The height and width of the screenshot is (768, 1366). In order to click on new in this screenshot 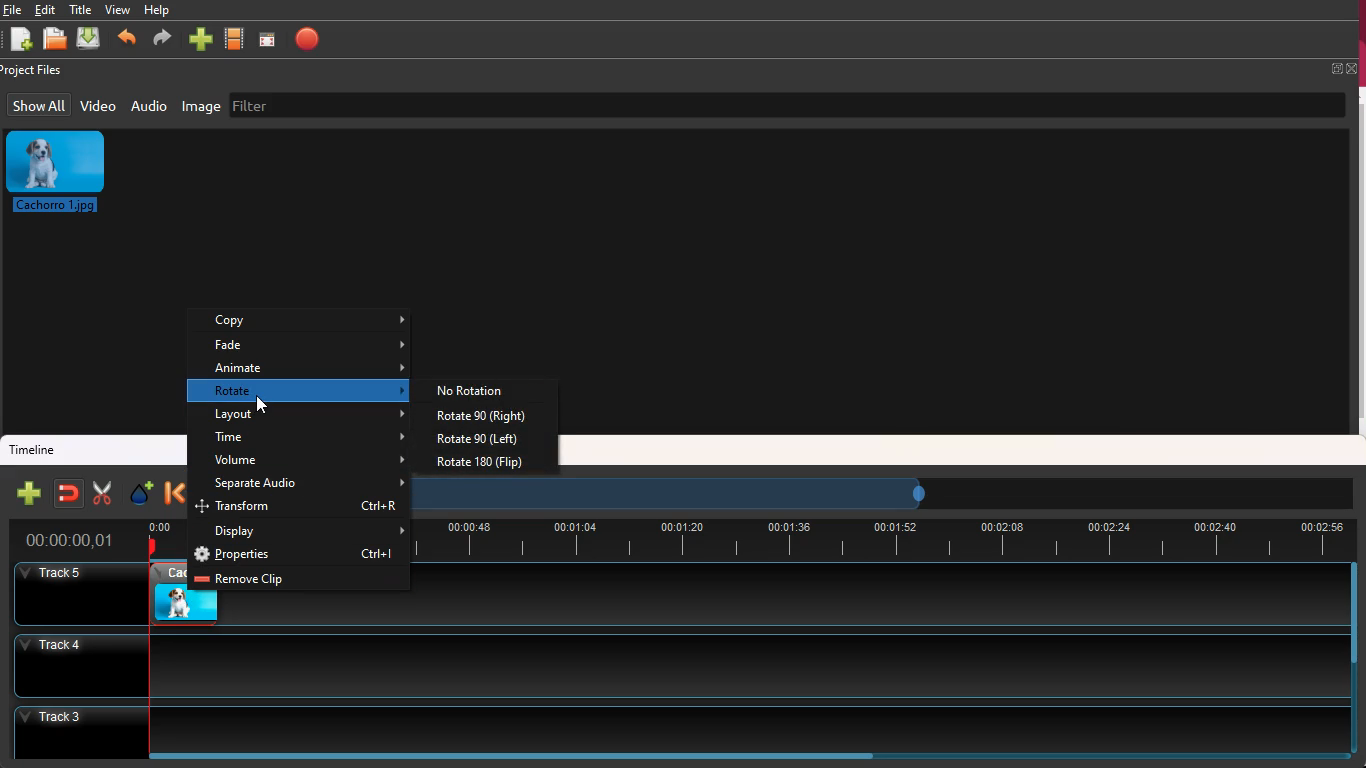, I will do `click(20, 41)`.